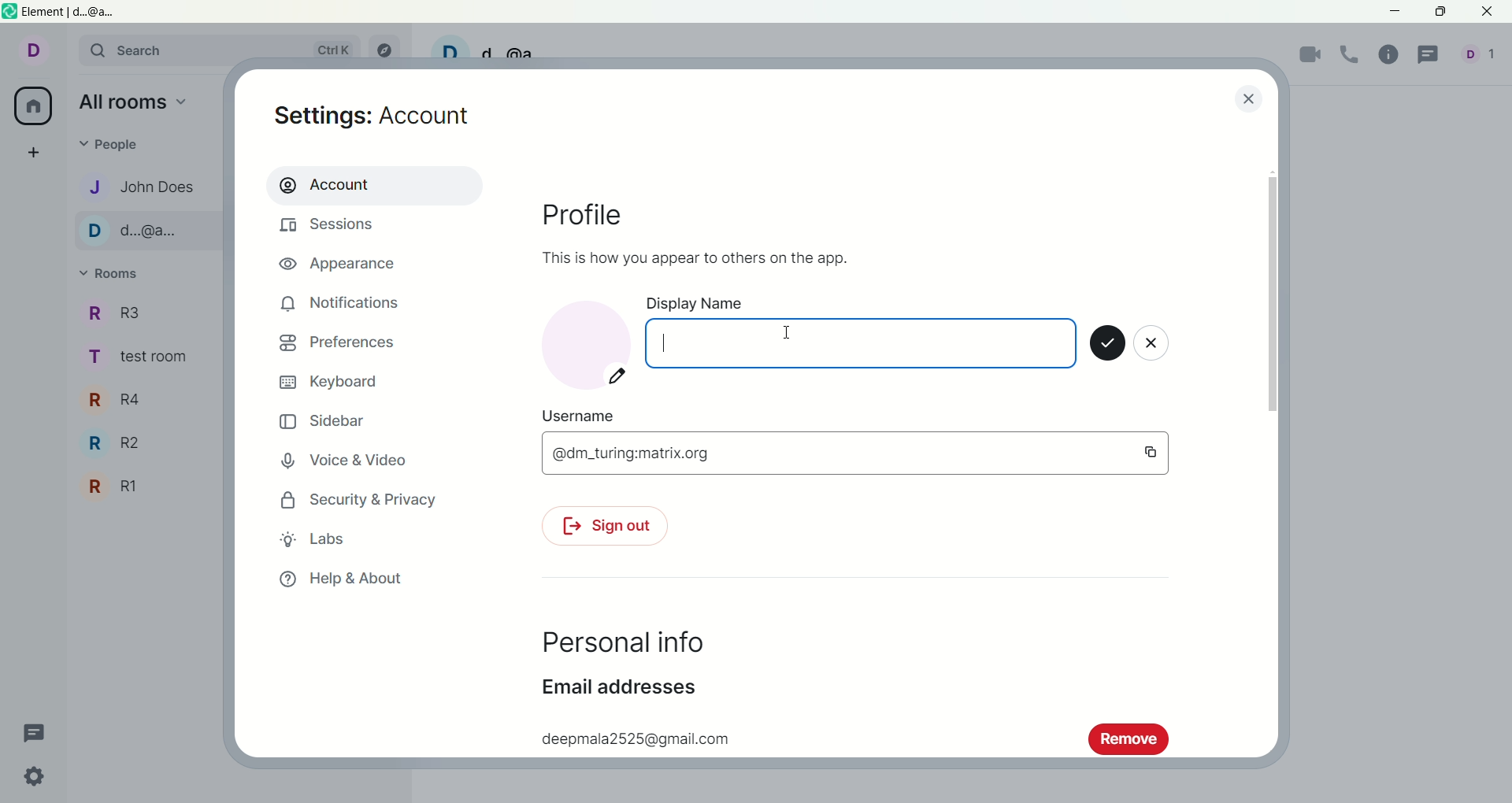 The height and width of the screenshot is (803, 1512). Describe the element at coordinates (788, 334) in the screenshot. I see `mouse cursor` at that location.